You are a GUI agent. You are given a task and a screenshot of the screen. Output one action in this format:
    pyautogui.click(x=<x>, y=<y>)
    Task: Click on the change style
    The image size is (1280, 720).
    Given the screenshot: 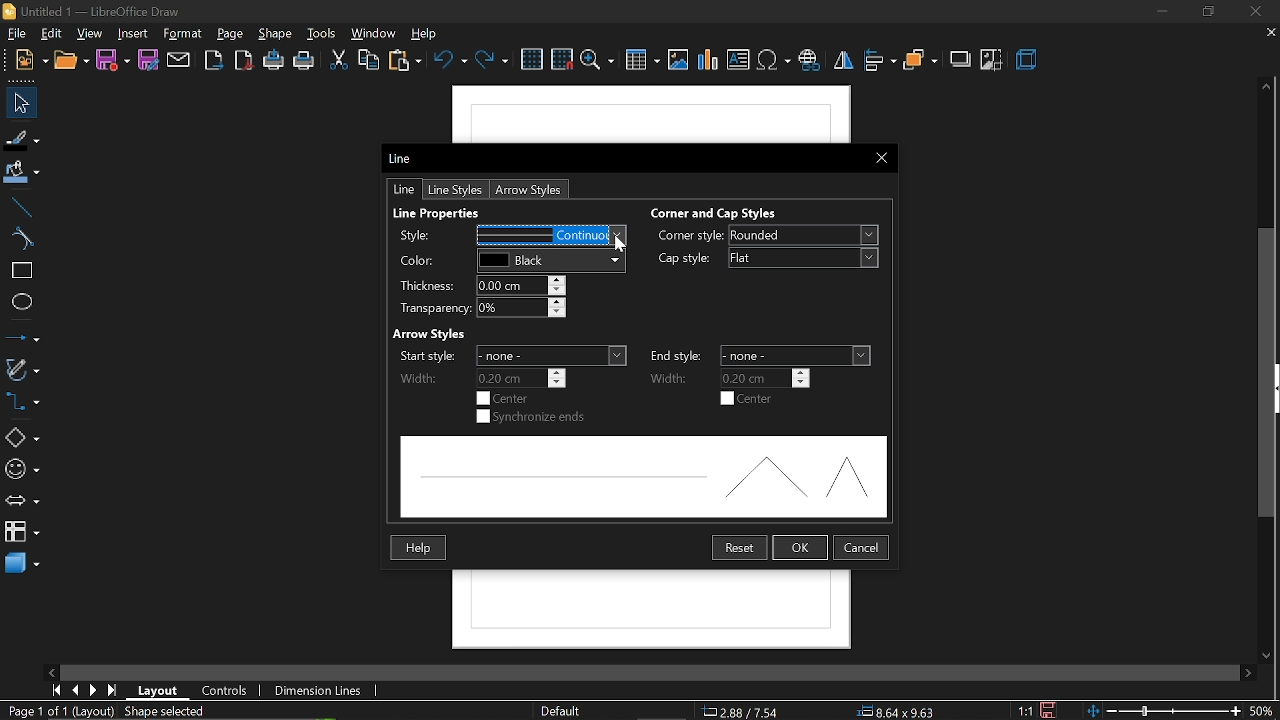 What is the action you would take?
    pyautogui.click(x=506, y=235)
    